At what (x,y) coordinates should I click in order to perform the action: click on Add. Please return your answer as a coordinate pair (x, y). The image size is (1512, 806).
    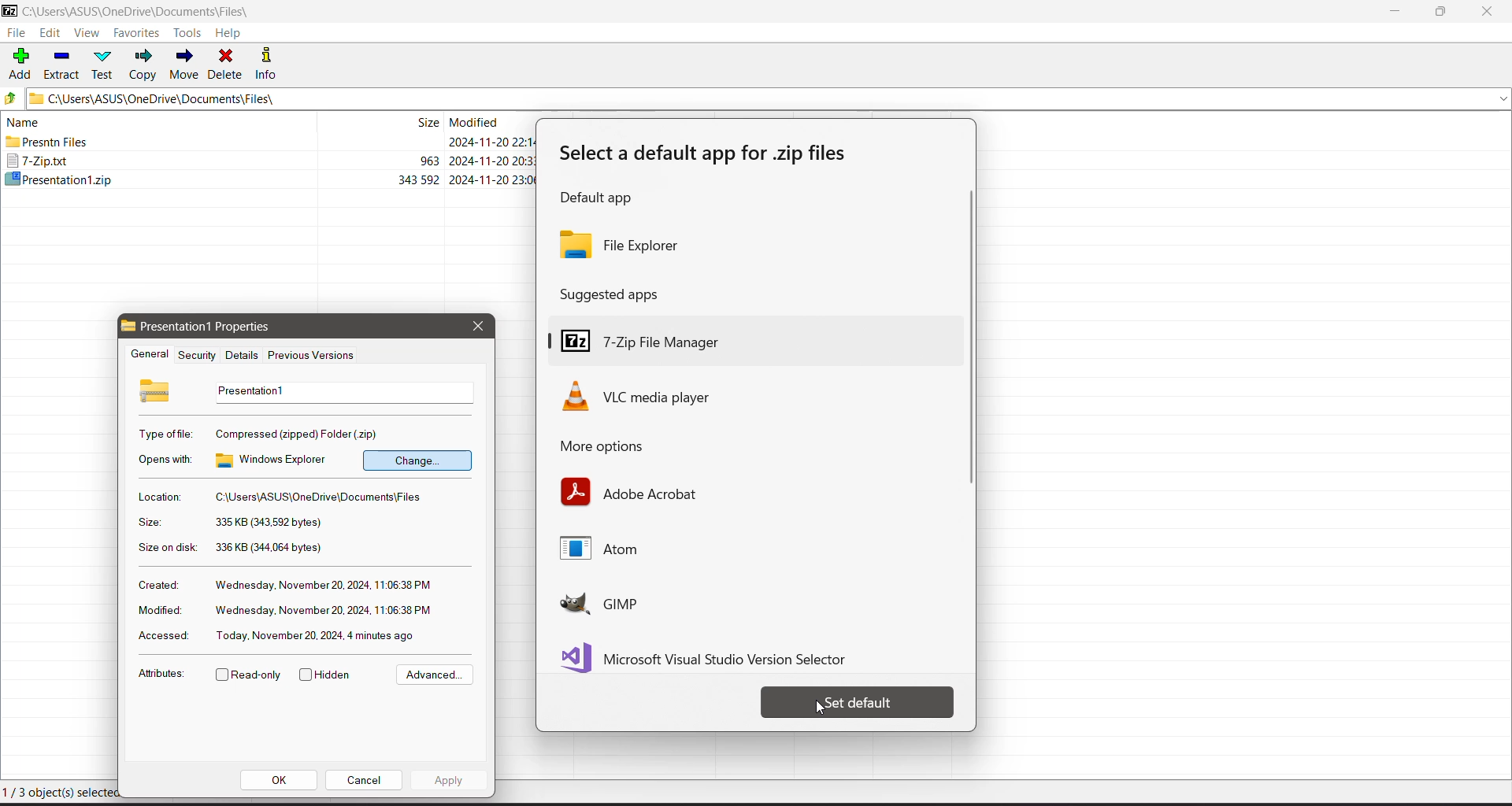
    Looking at the image, I should click on (20, 62).